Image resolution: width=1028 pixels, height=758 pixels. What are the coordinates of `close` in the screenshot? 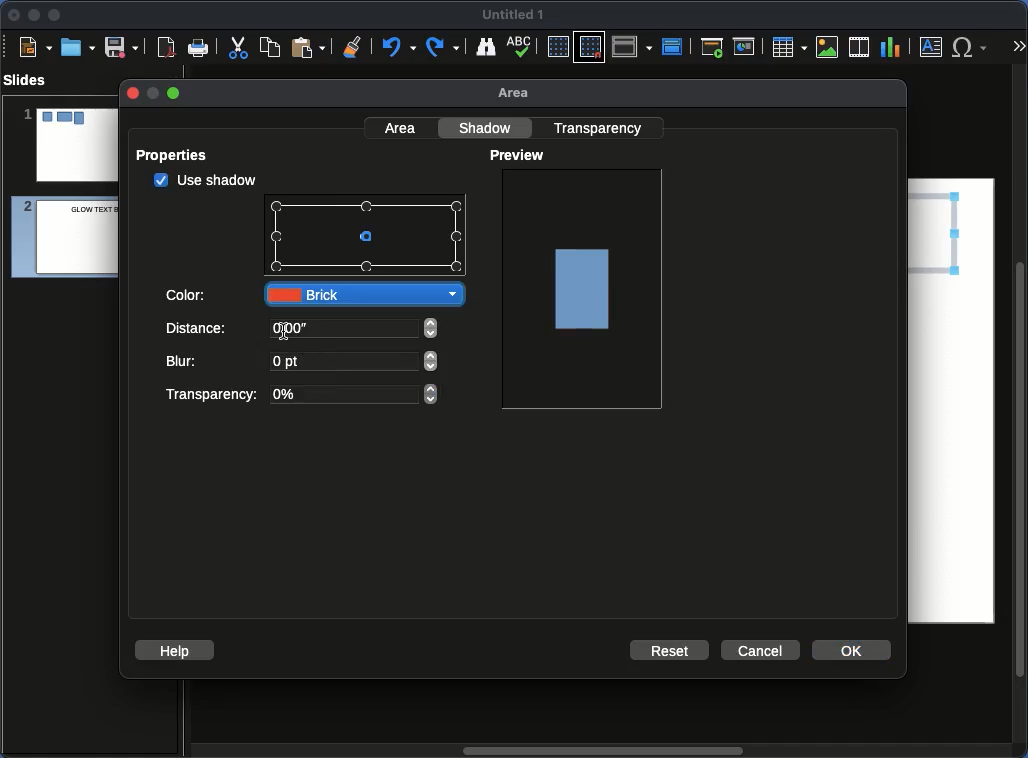 It's located at (131, 93).